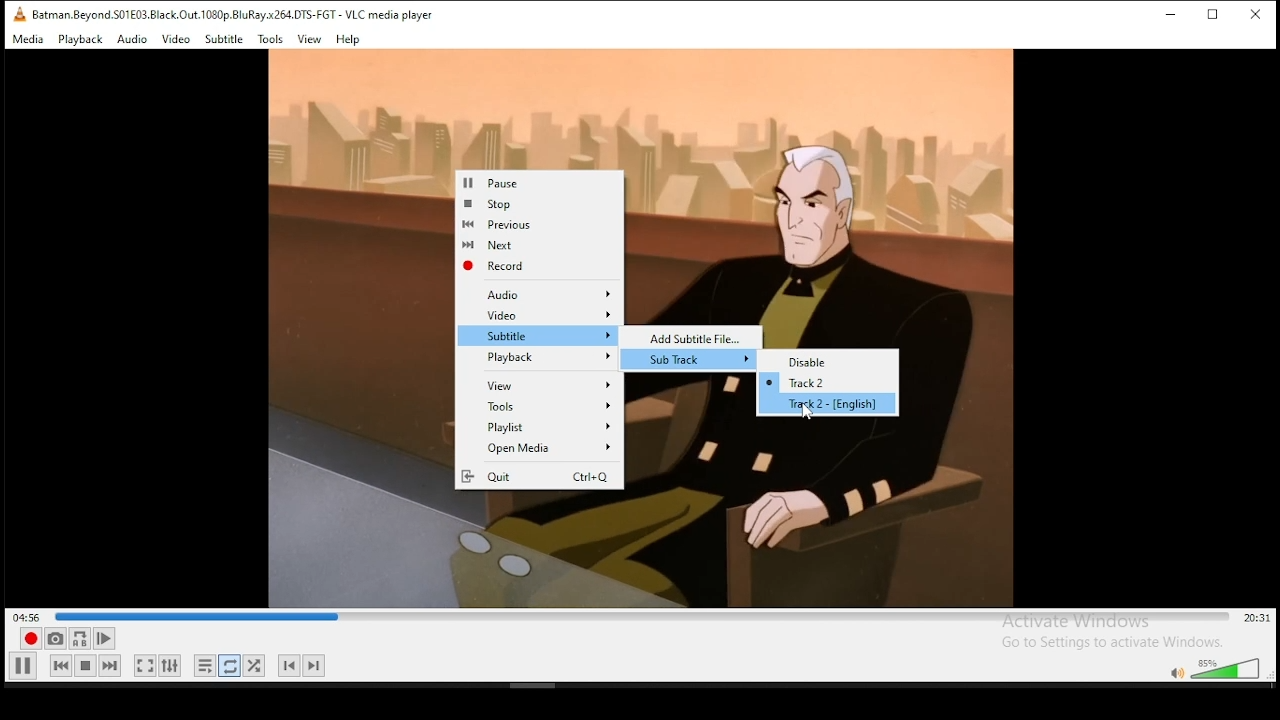 The image size is (1280, 720). Describe the element at coordinates (55, 638) in the screenshot. I see `Capture Screenshot ` at that location.